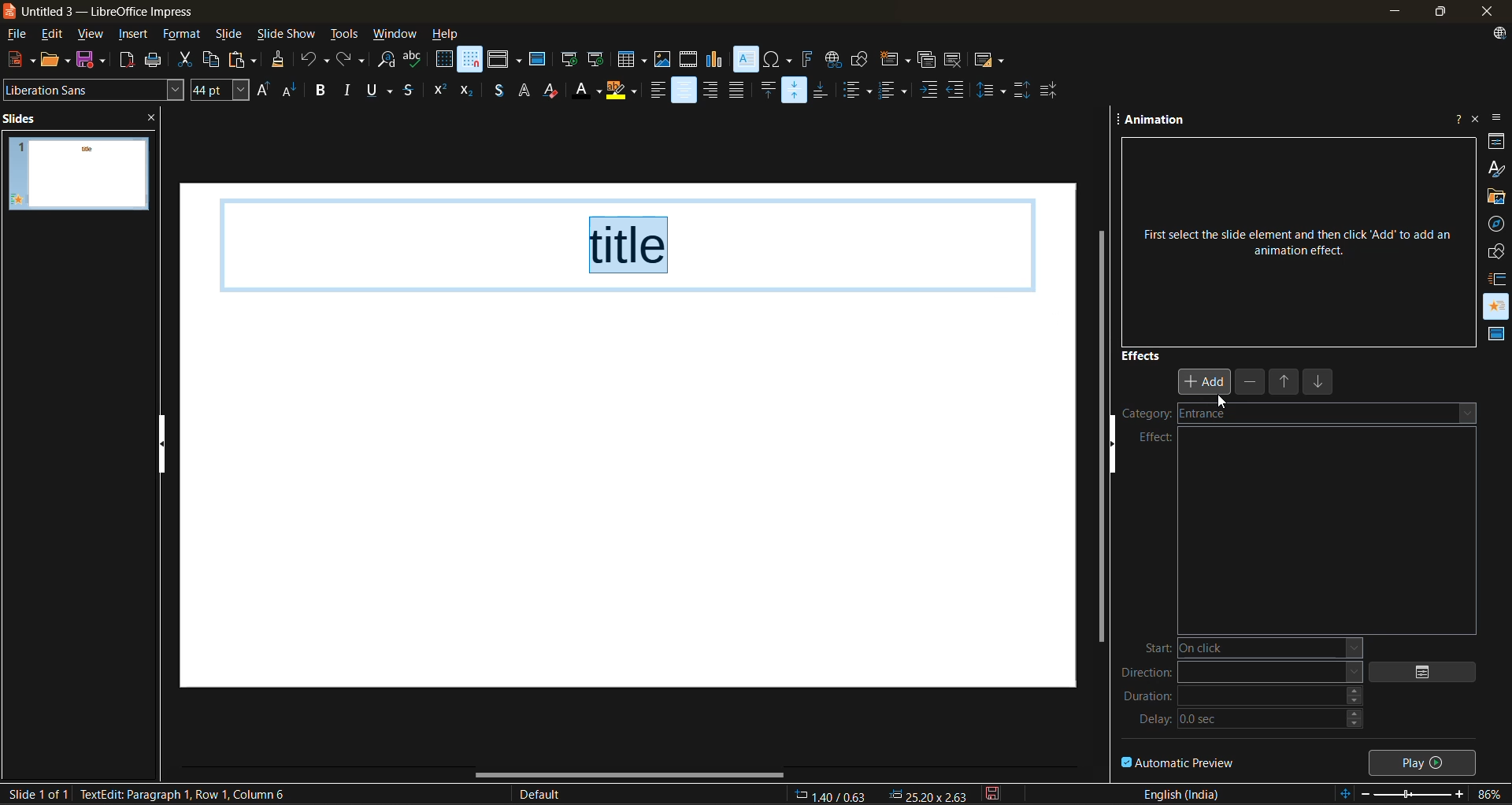 The width and height of the screenshot is (1512, 805). Describe the element at coordinates (807, 59) in the screenshot. I see `insert fontwork text` at that location.